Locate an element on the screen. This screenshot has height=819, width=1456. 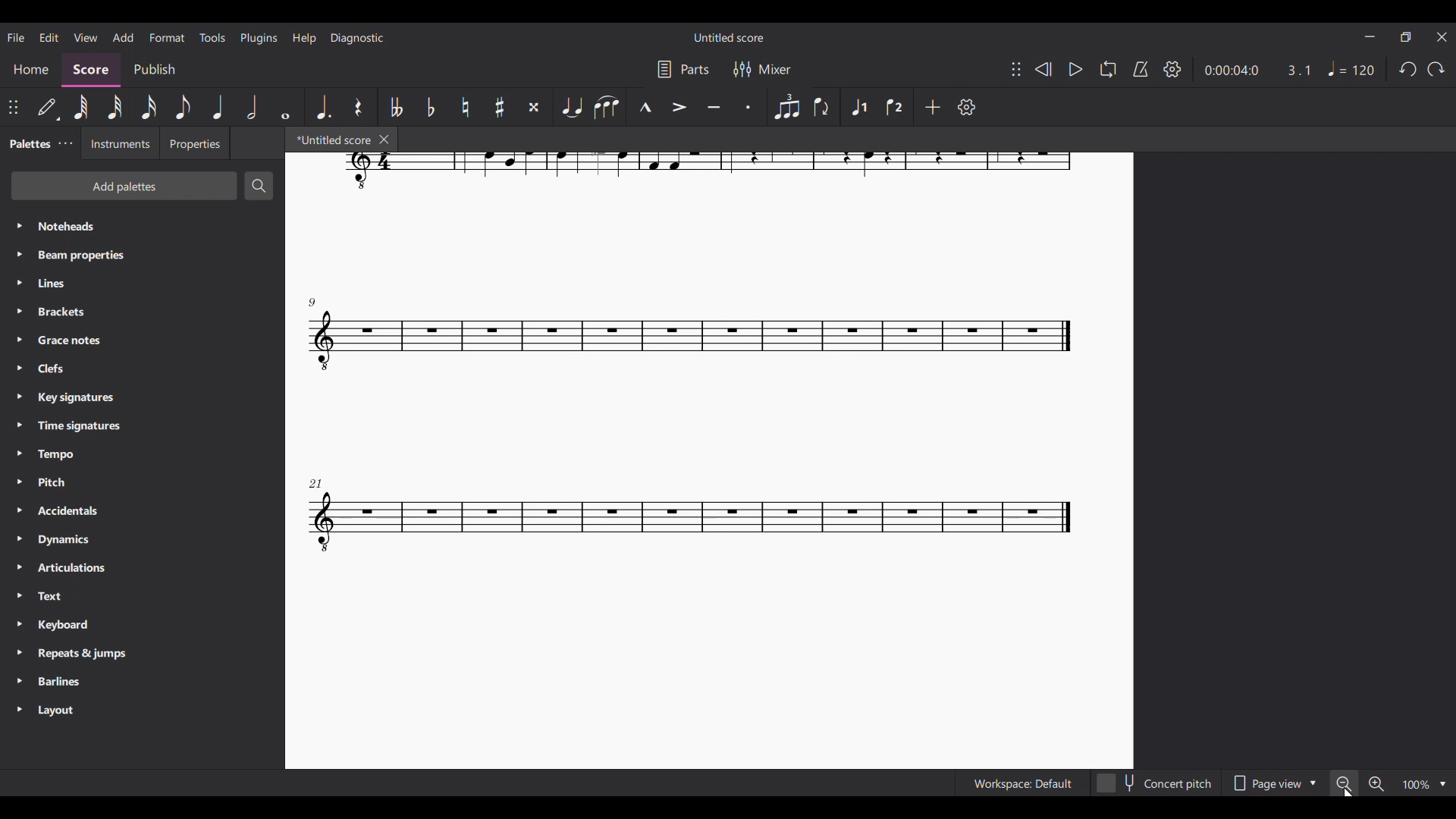
Zoom options is located at coordinates (1440, 784).